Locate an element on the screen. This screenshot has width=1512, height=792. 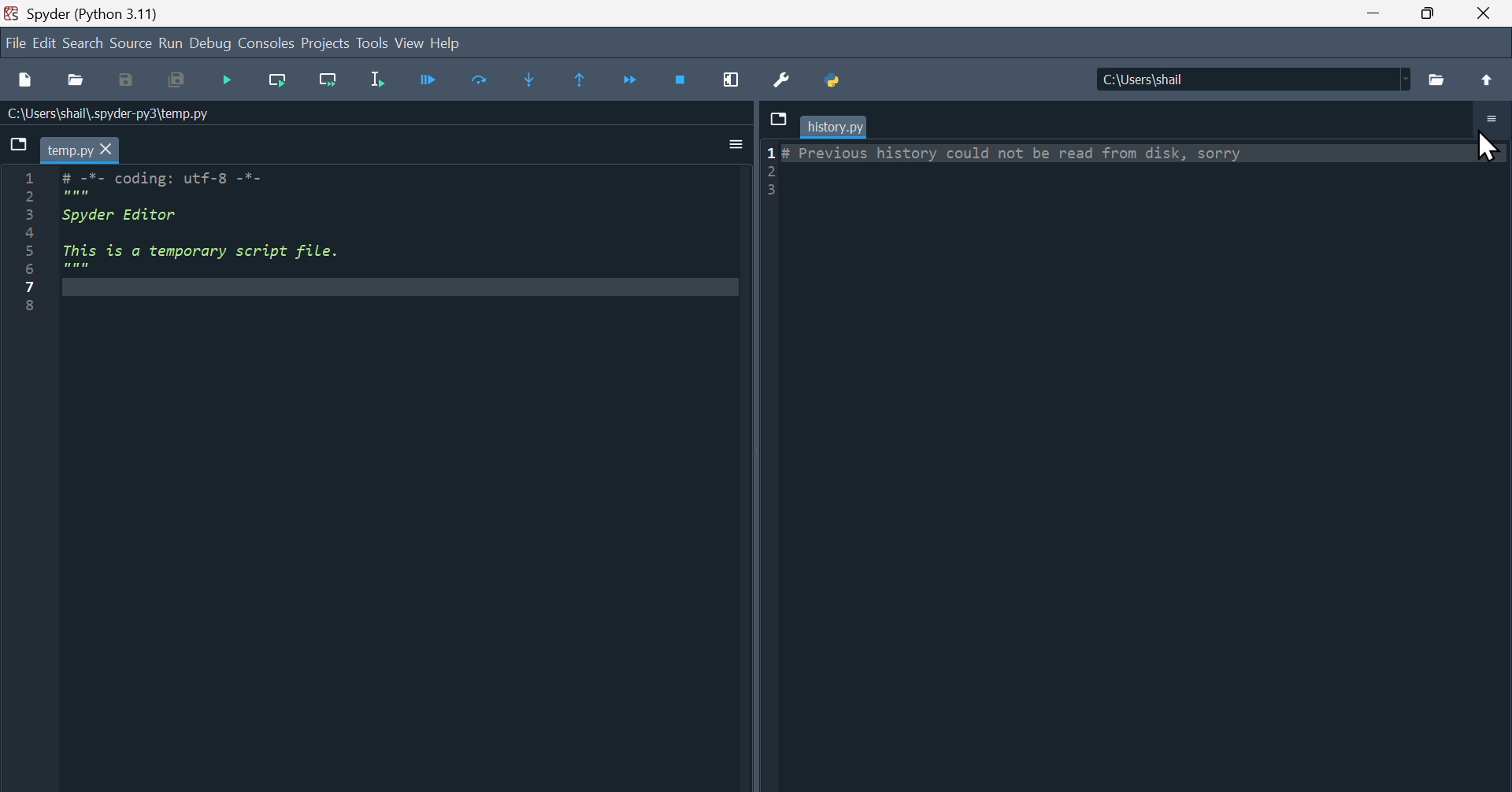
Restore is located at coordinates (1426, 15).